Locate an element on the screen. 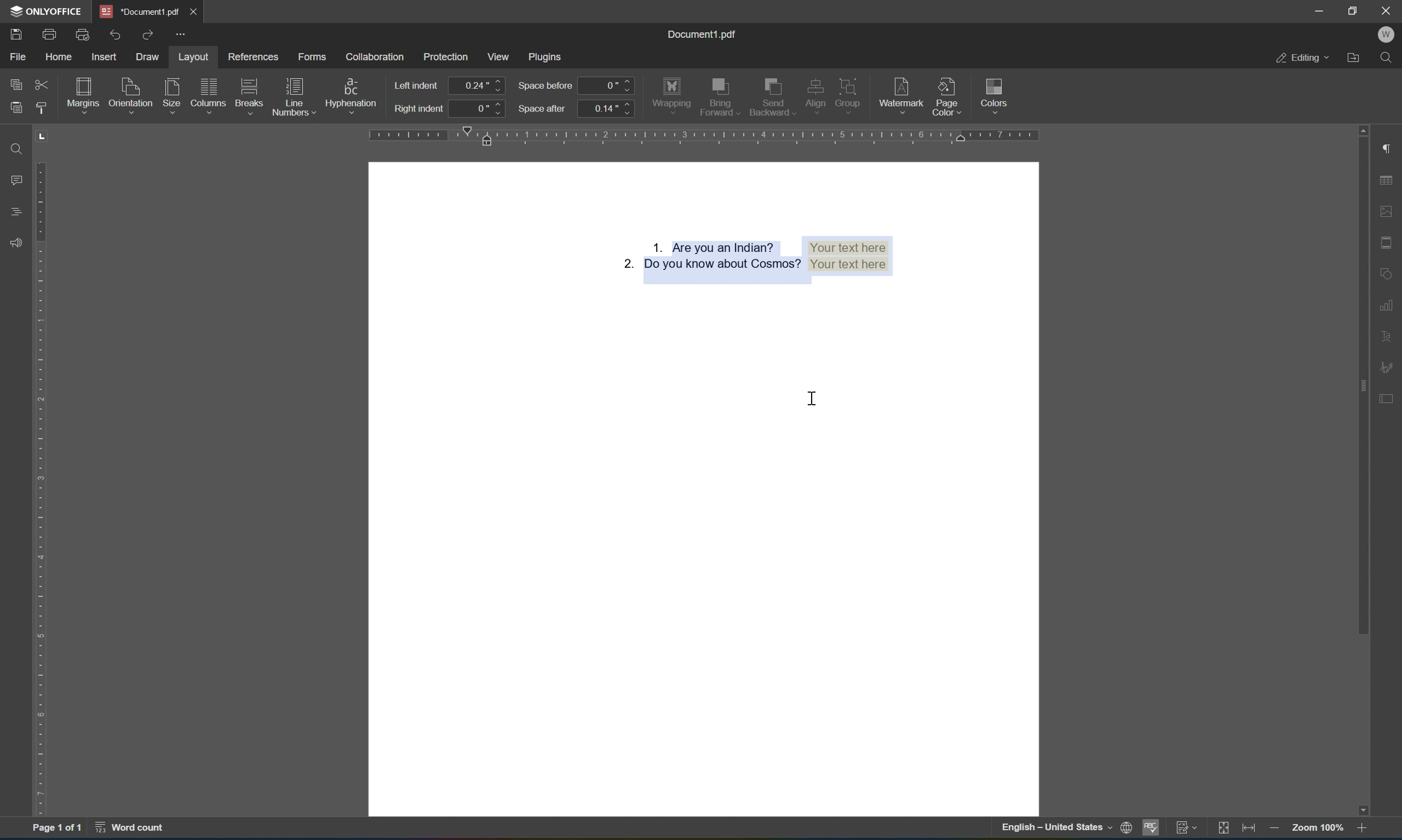  size is located at coordinates (174, 95).